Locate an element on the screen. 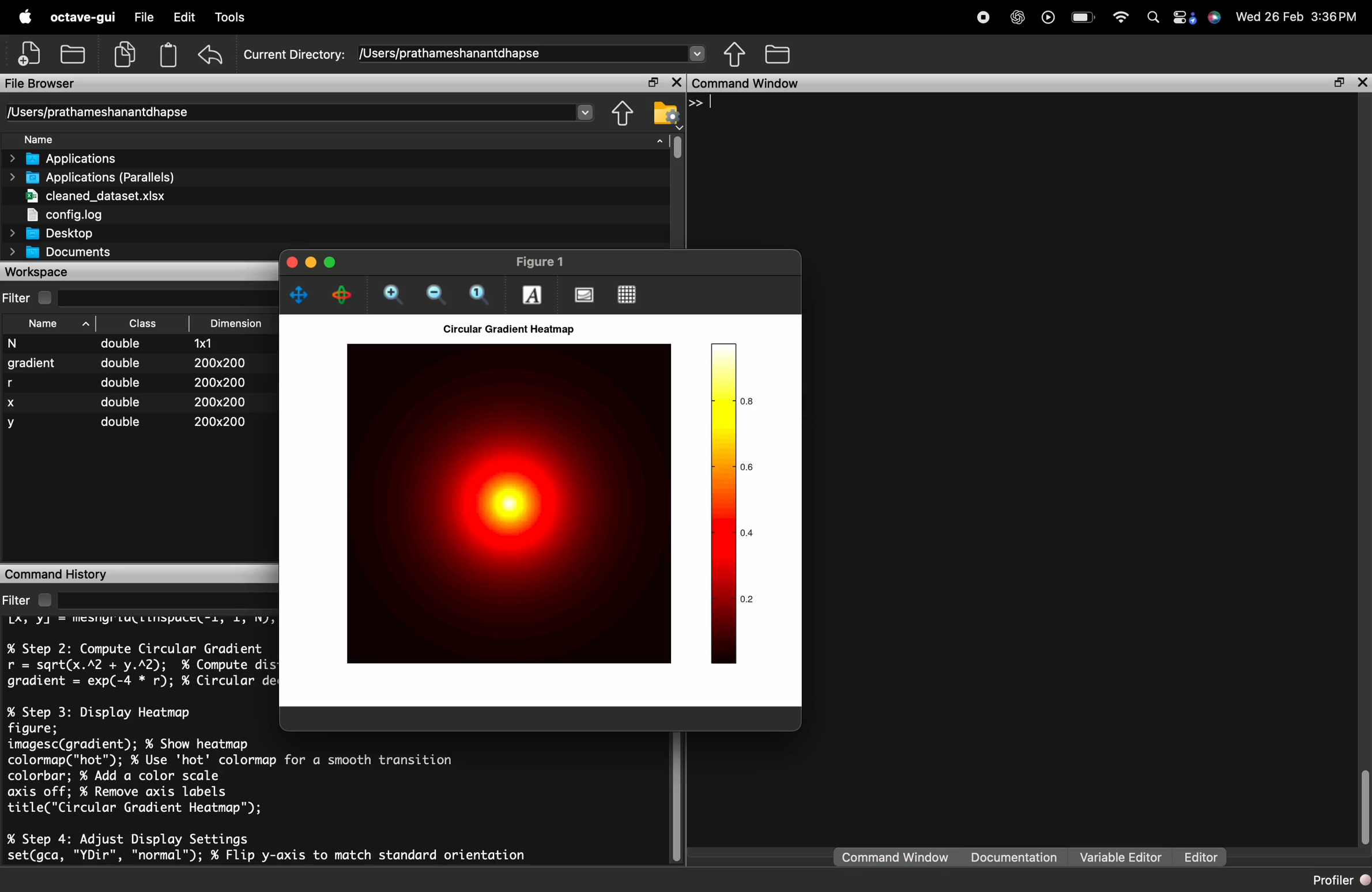 Image resolution: width=1372 pixels, height=892 pixels. Name  is located at coordinates (55, 325).